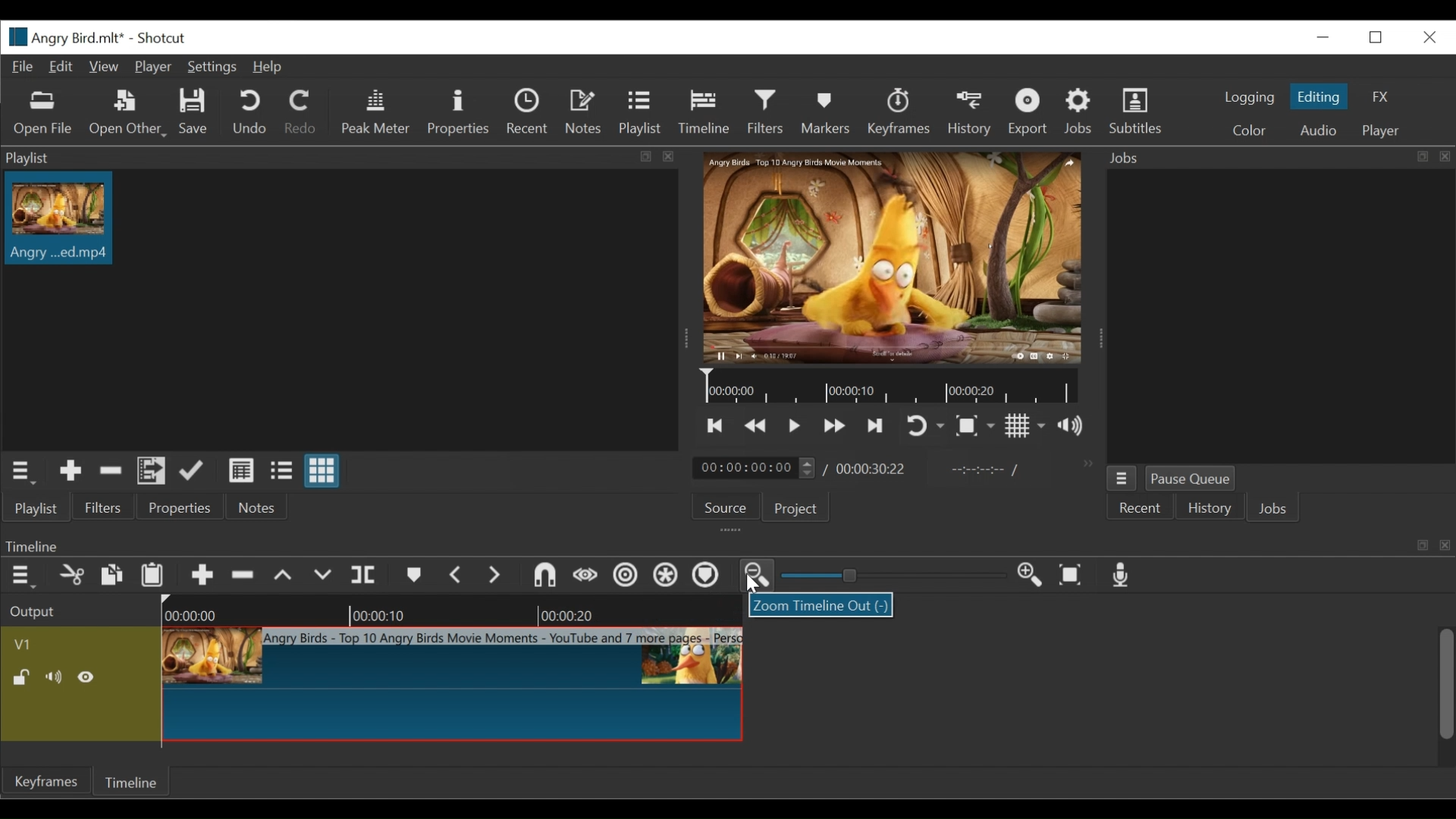 This screenshot has width=1456, height=819. What do you see at coordinates (870, 471) in the screenshot?
I see `Total duration` at bounding box center [870, 471].